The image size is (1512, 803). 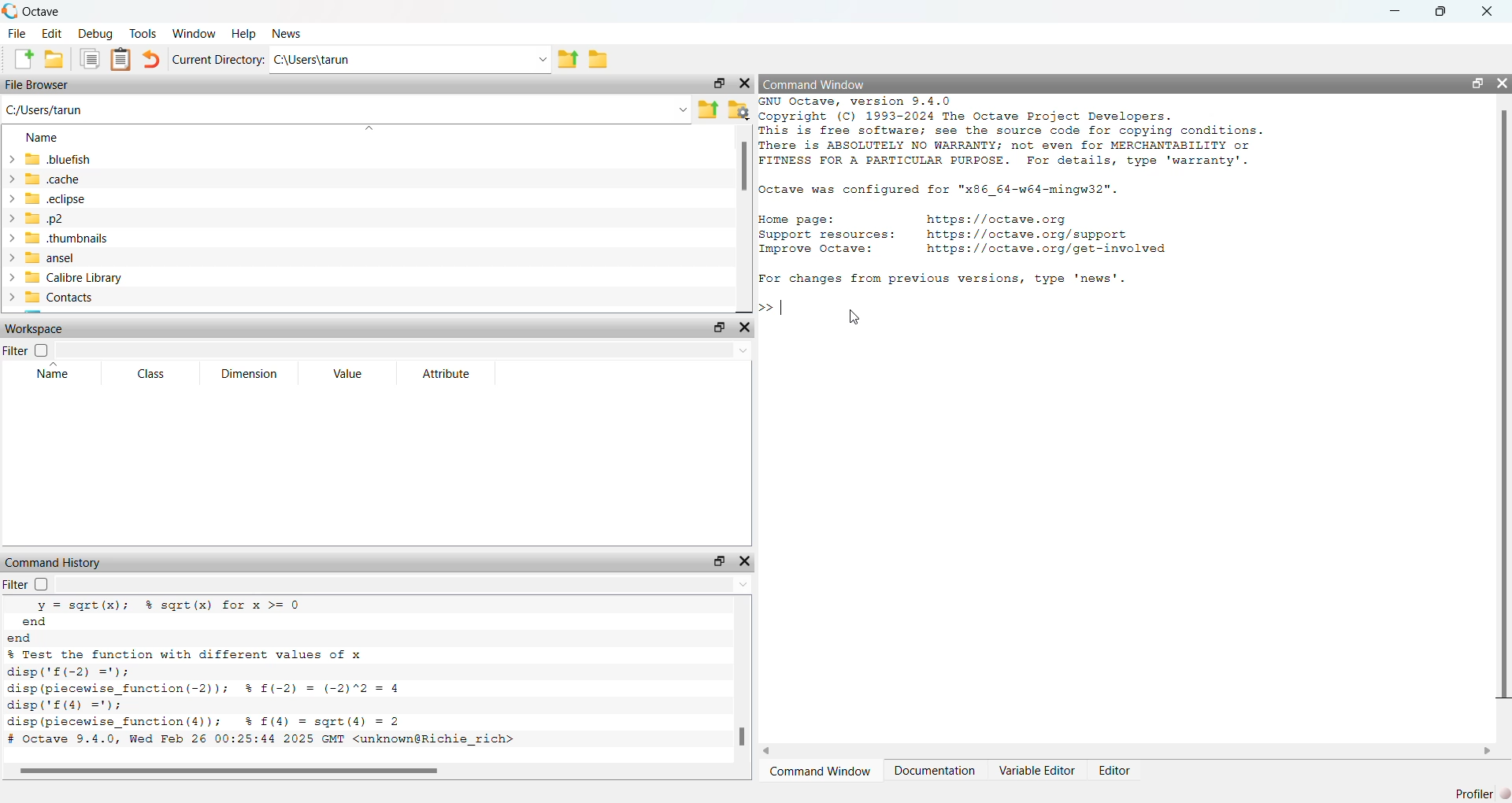 I want to click on Copy, so click(x=88, y=58).